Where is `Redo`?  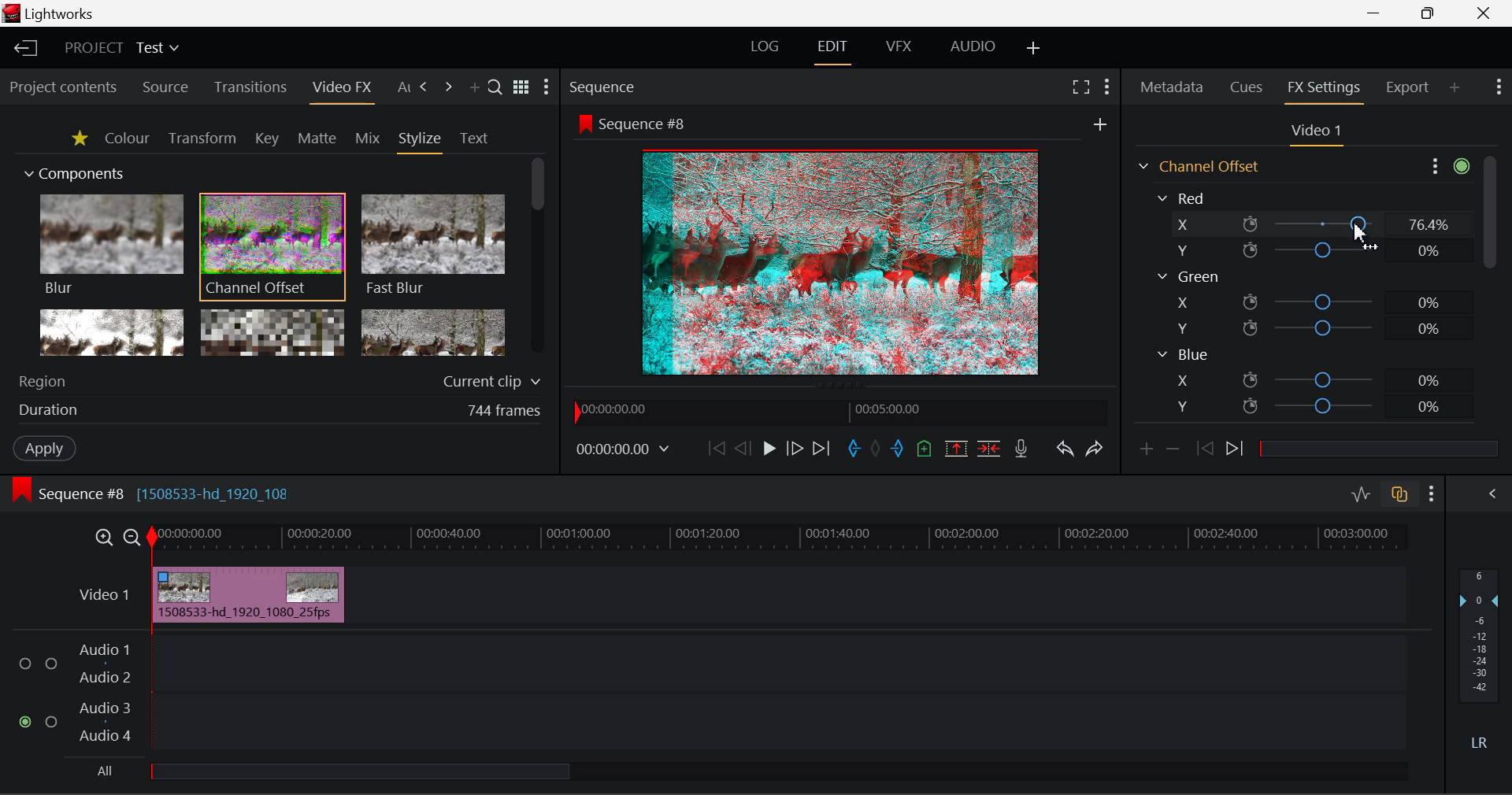
Redo is located at coordinates (1095, 452).